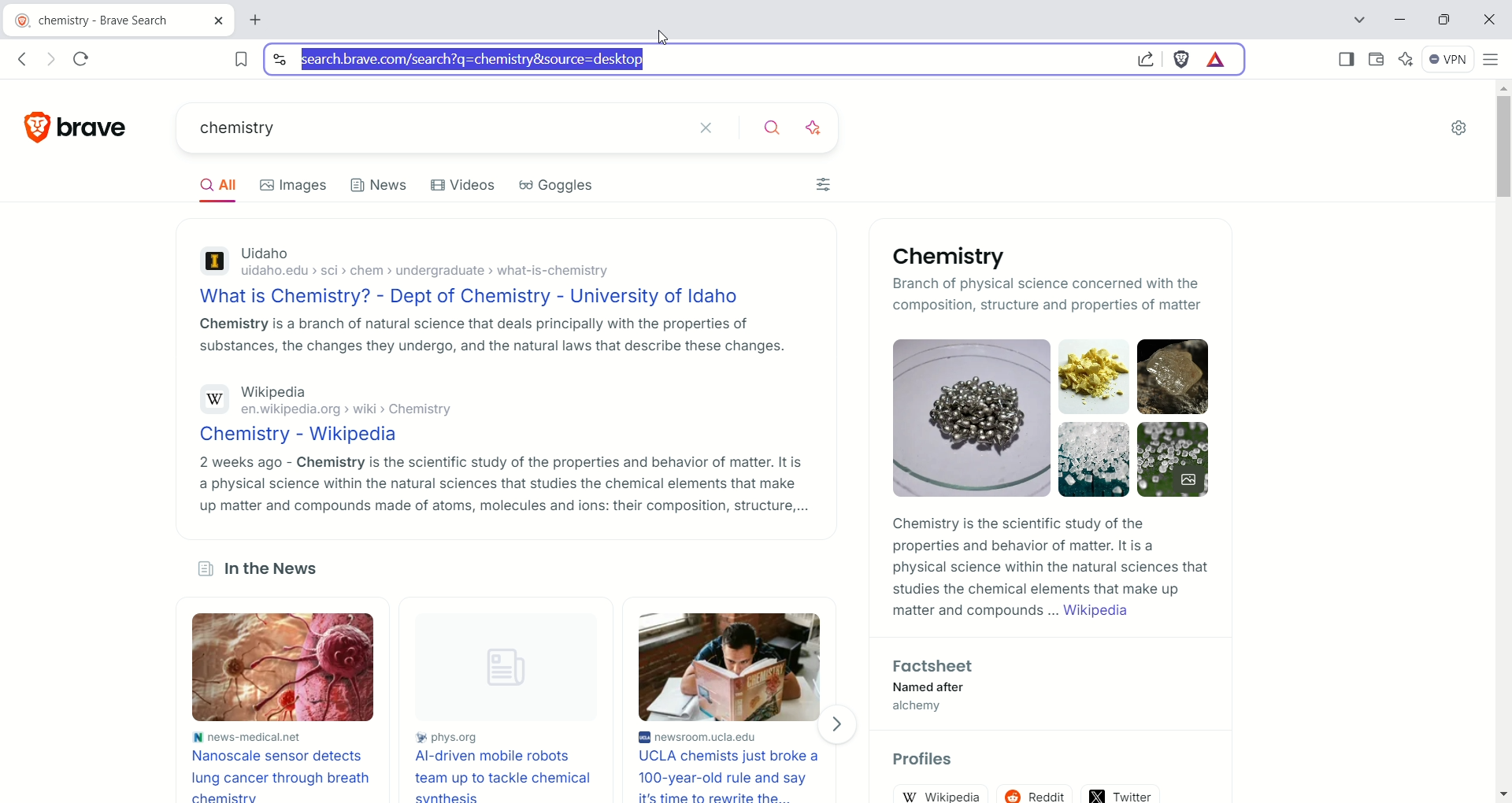 This screenshot has width=1512, height=803. What do you see at coordinates (261, 20) in the screenshot?
I see `current tab` at bounding box center [261, 20].